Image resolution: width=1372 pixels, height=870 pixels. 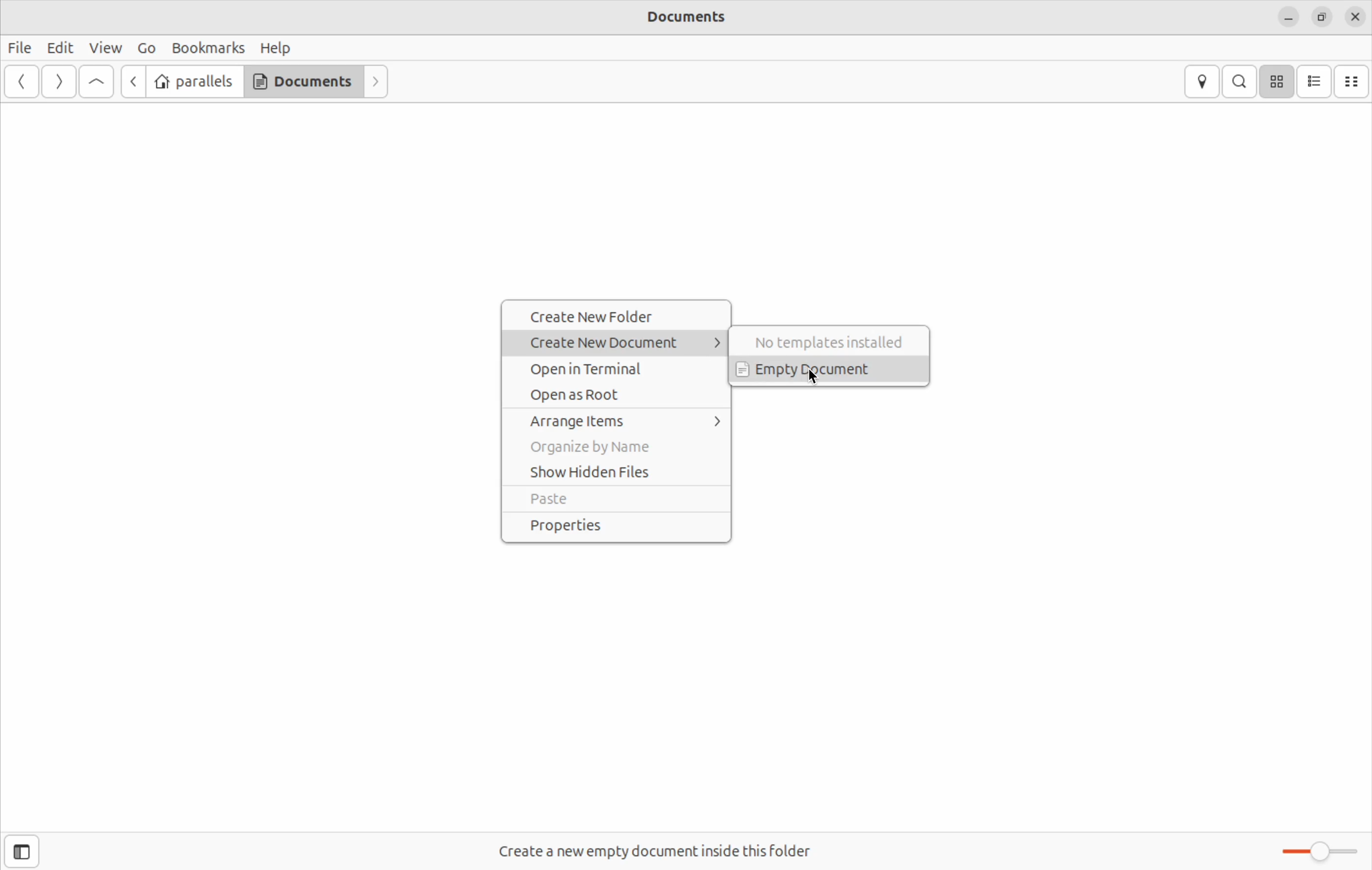 What do you see at coordinates (207, 48) in the screenshot?
I see `bookmarks` at bounding box center [207, 48].